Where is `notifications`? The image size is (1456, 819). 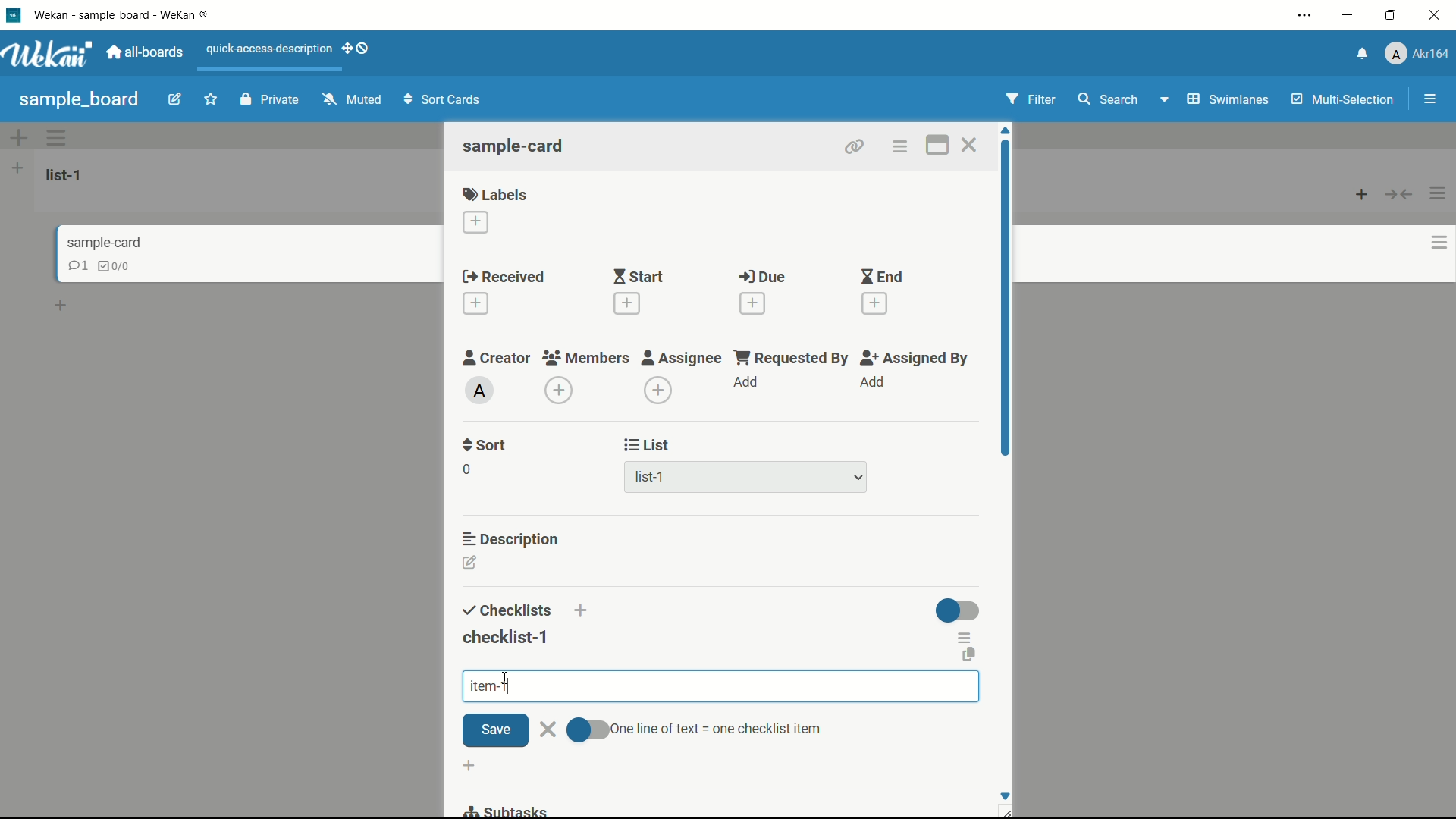 notifications is located at coordinates (1363, 54).